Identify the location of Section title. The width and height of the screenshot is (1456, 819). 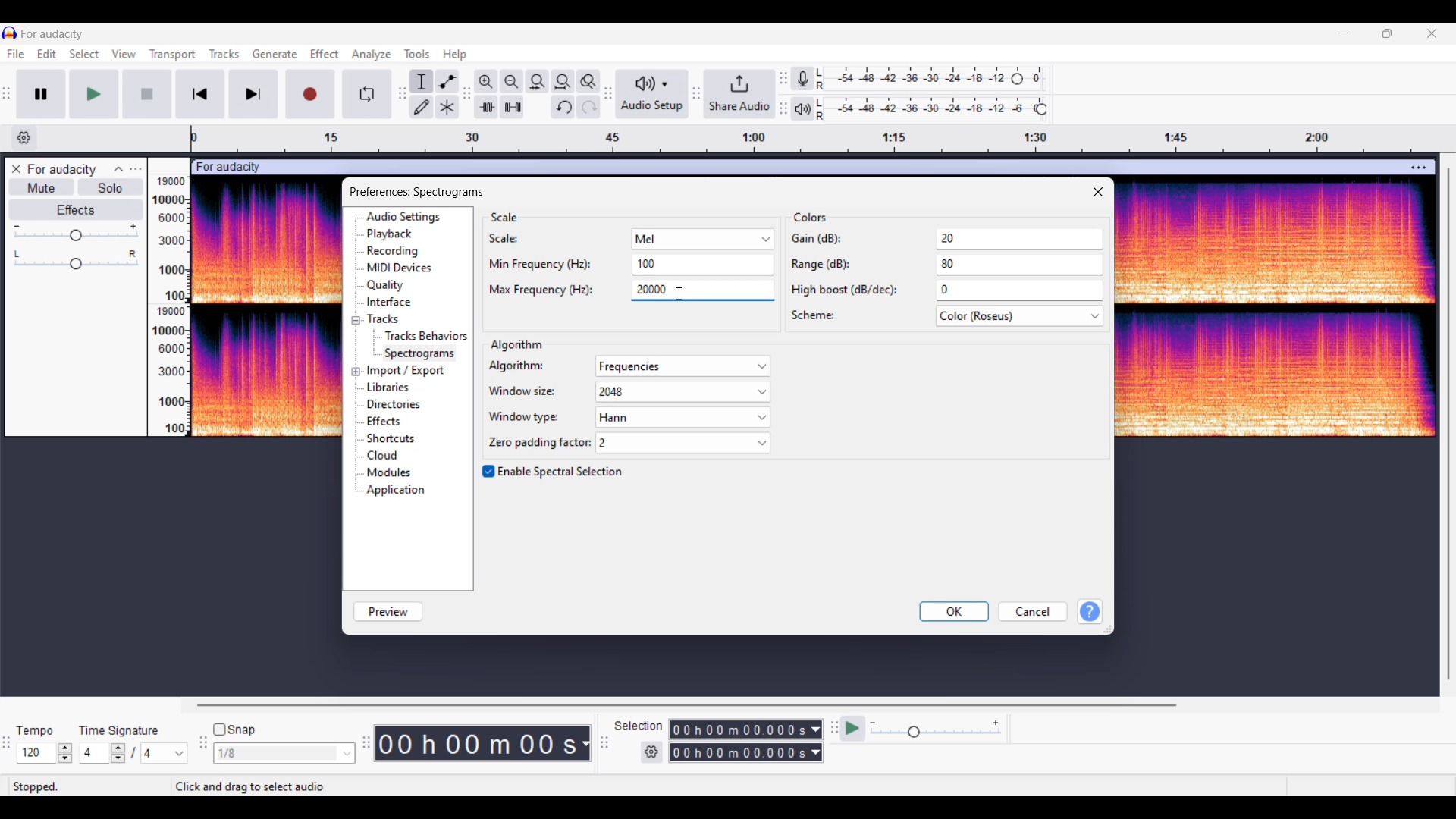
(505, 217).